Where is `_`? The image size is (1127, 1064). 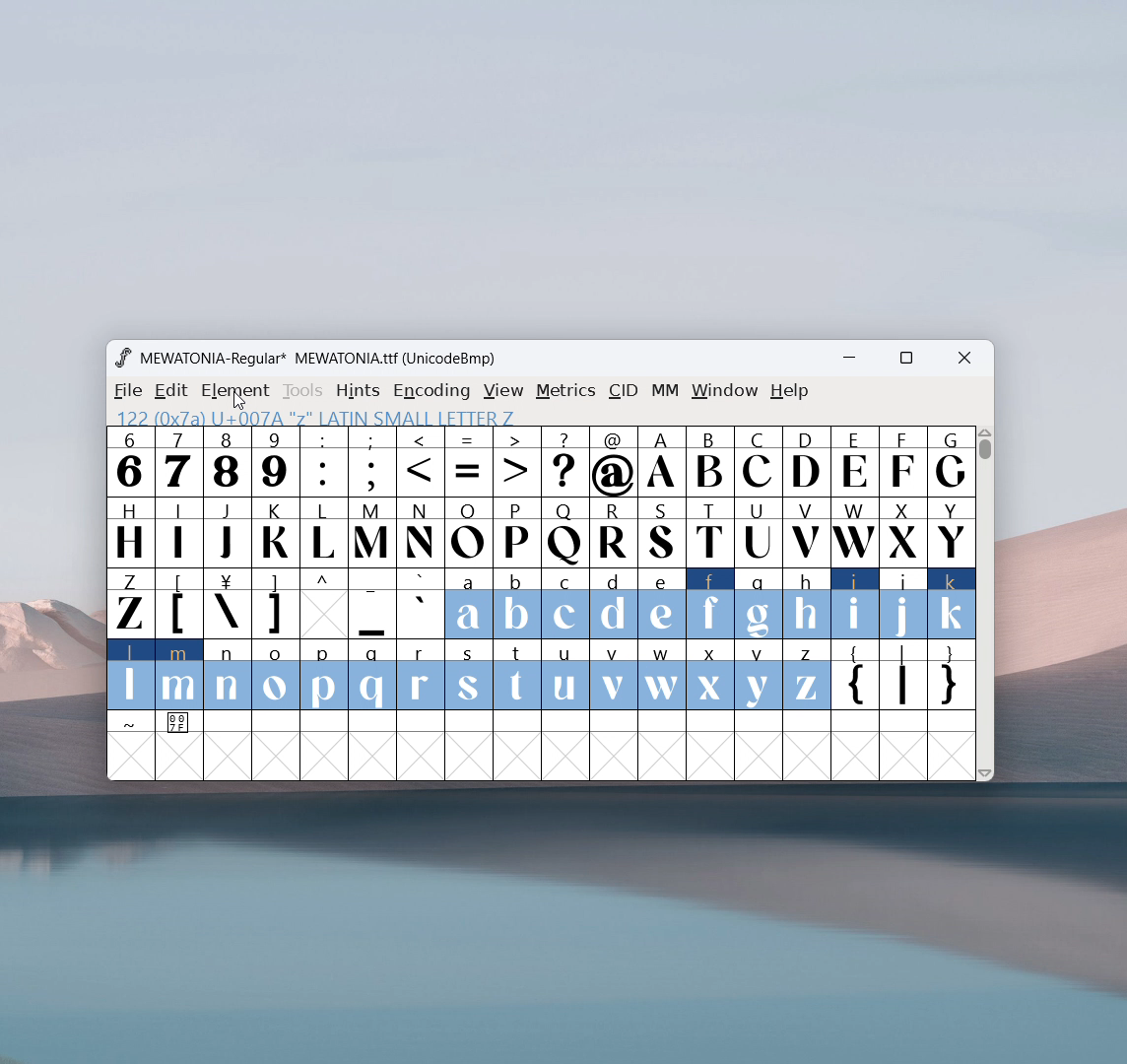 _ is located at coordinates (372, 604).